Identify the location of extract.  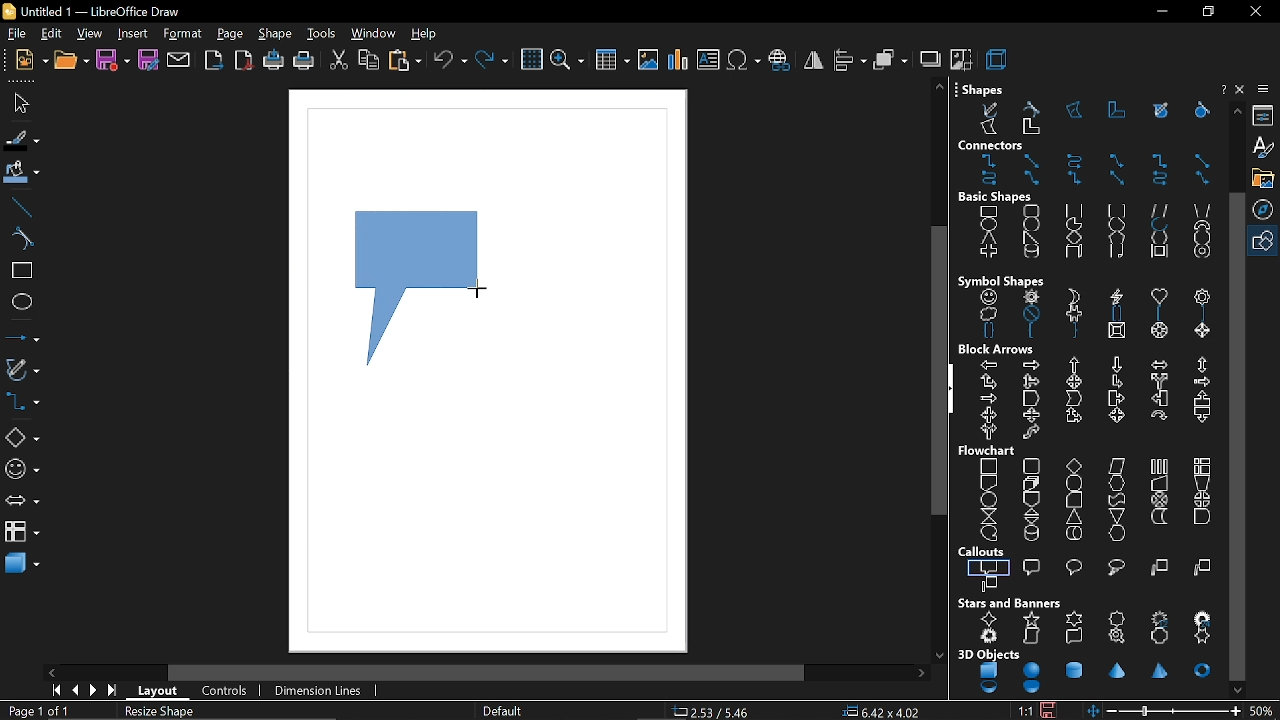
(1074, 517).